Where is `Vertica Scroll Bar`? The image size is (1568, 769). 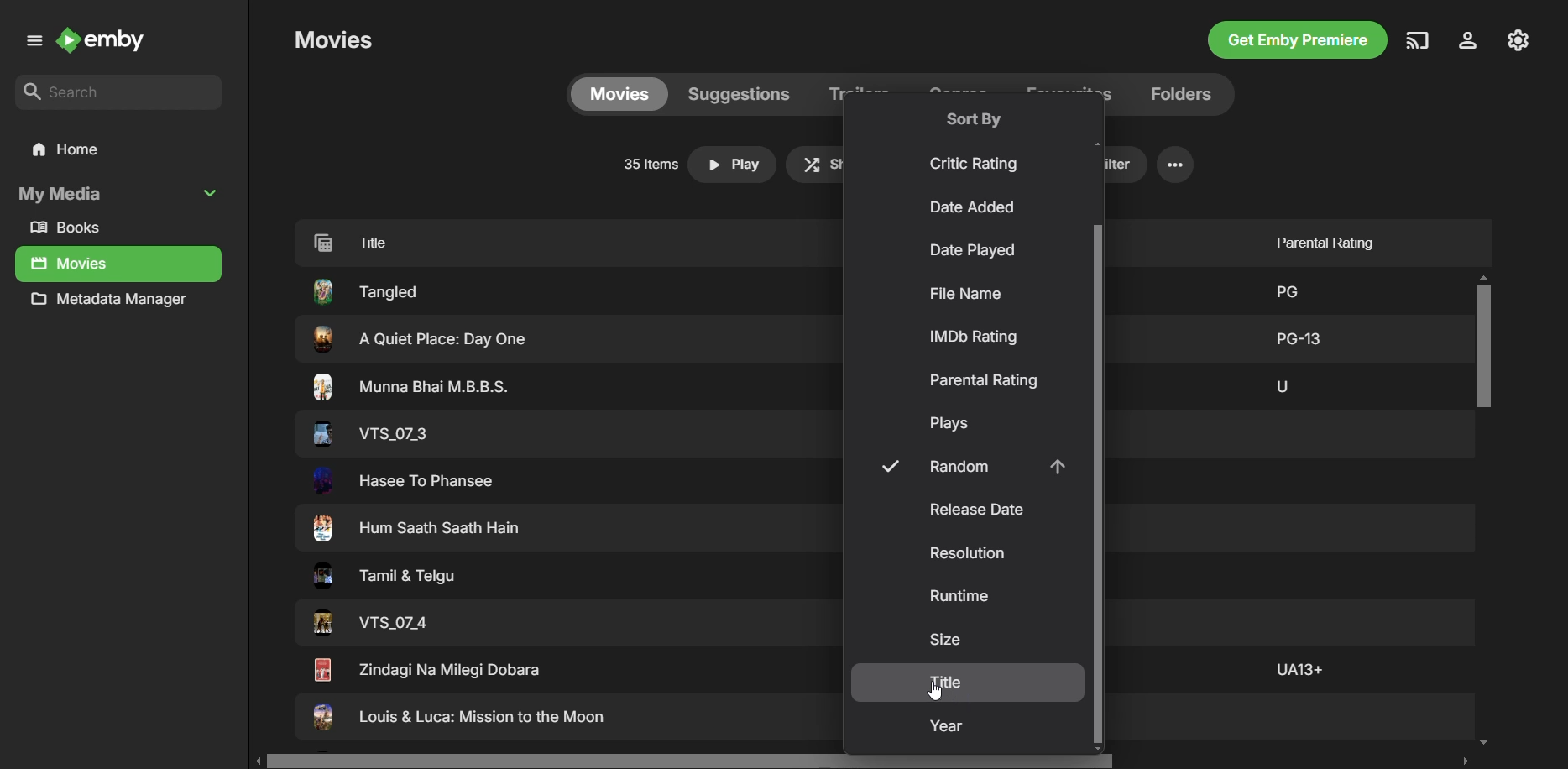 Vertica Scroll Bar is located at coordinates (1484, 512).